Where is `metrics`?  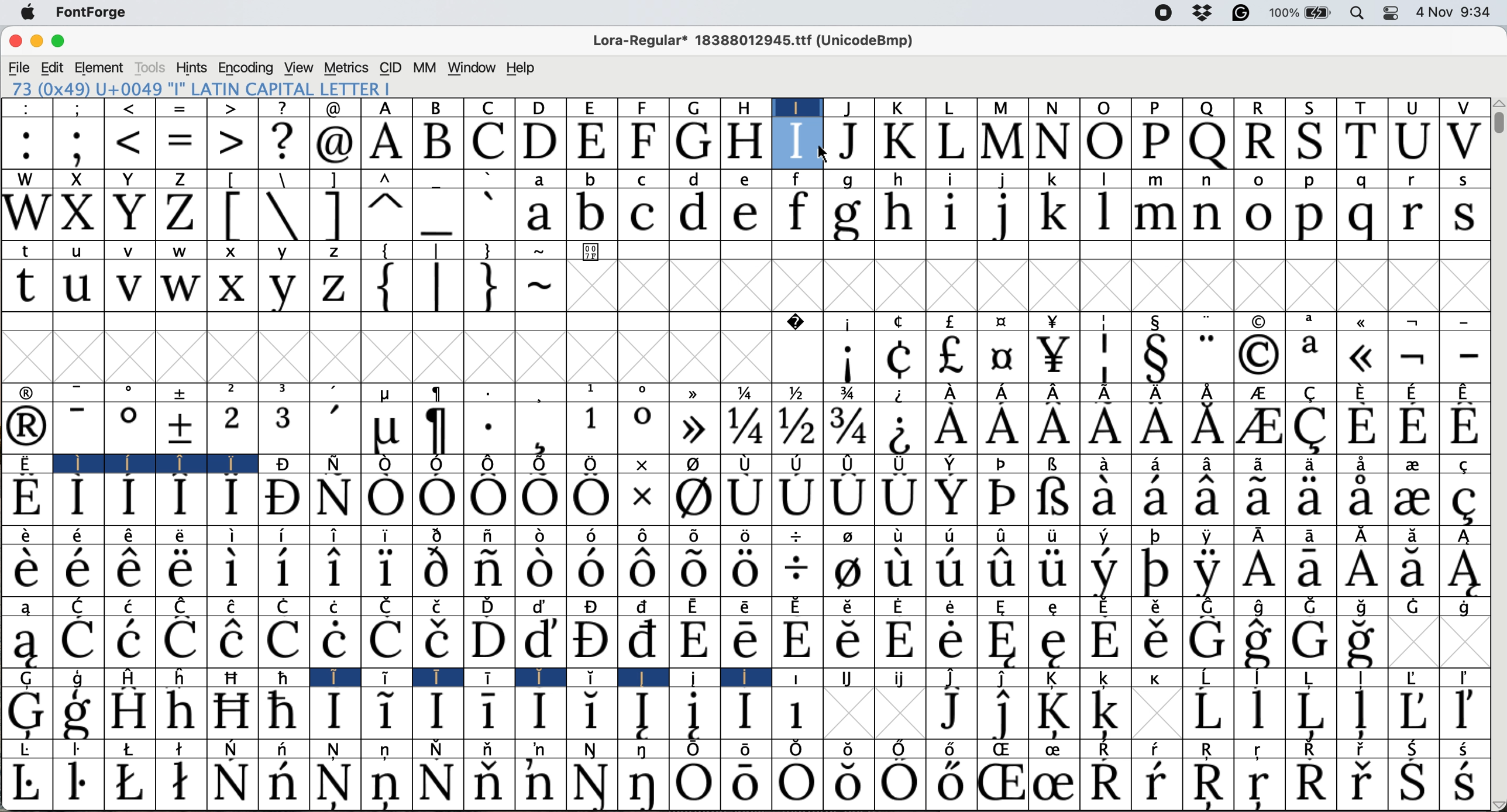
metrics is located at coordinates (345, 68).